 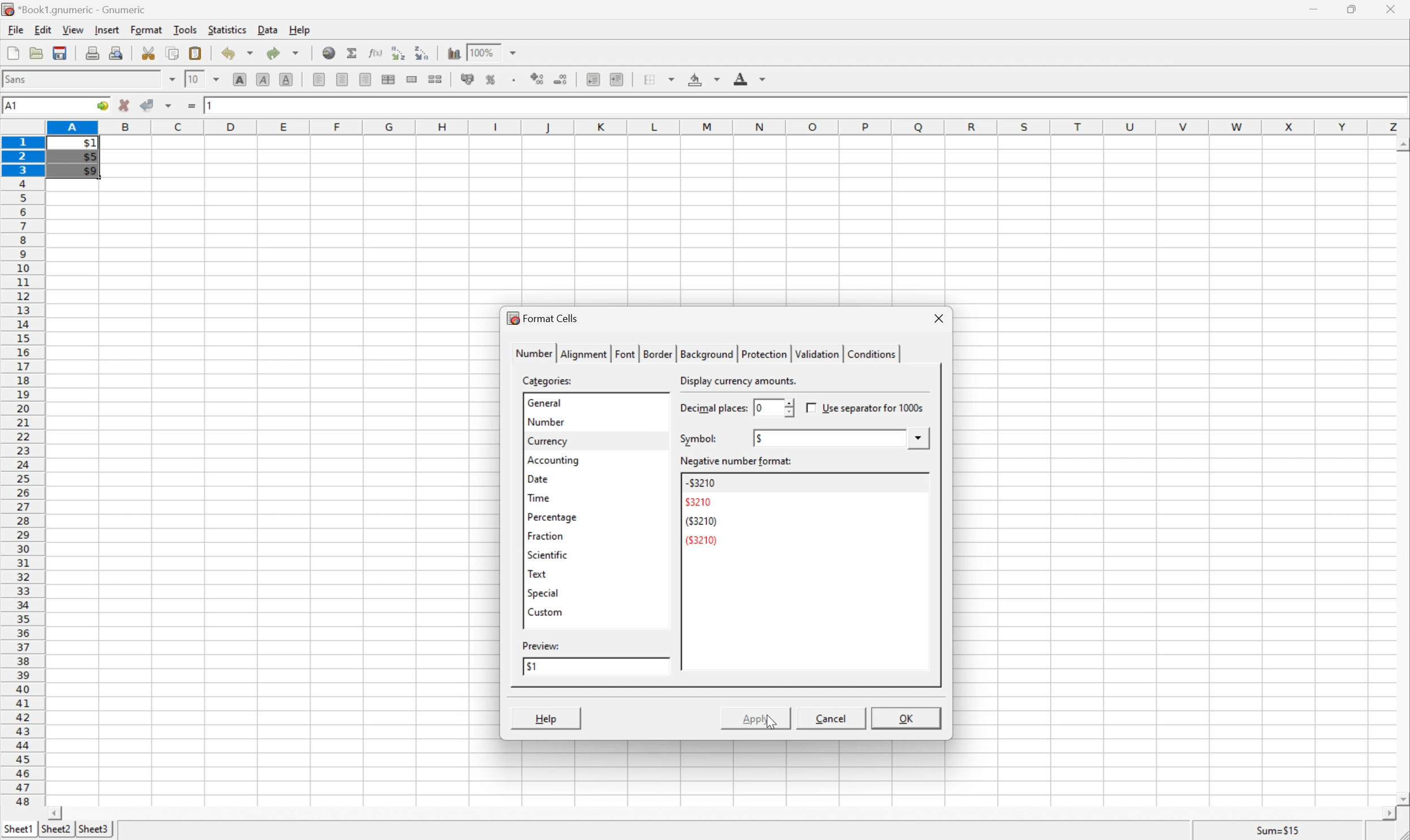 What do you see at coordinates (173, 79) in the screenshot?
I see `drop down` at bounding box center [173, 79].